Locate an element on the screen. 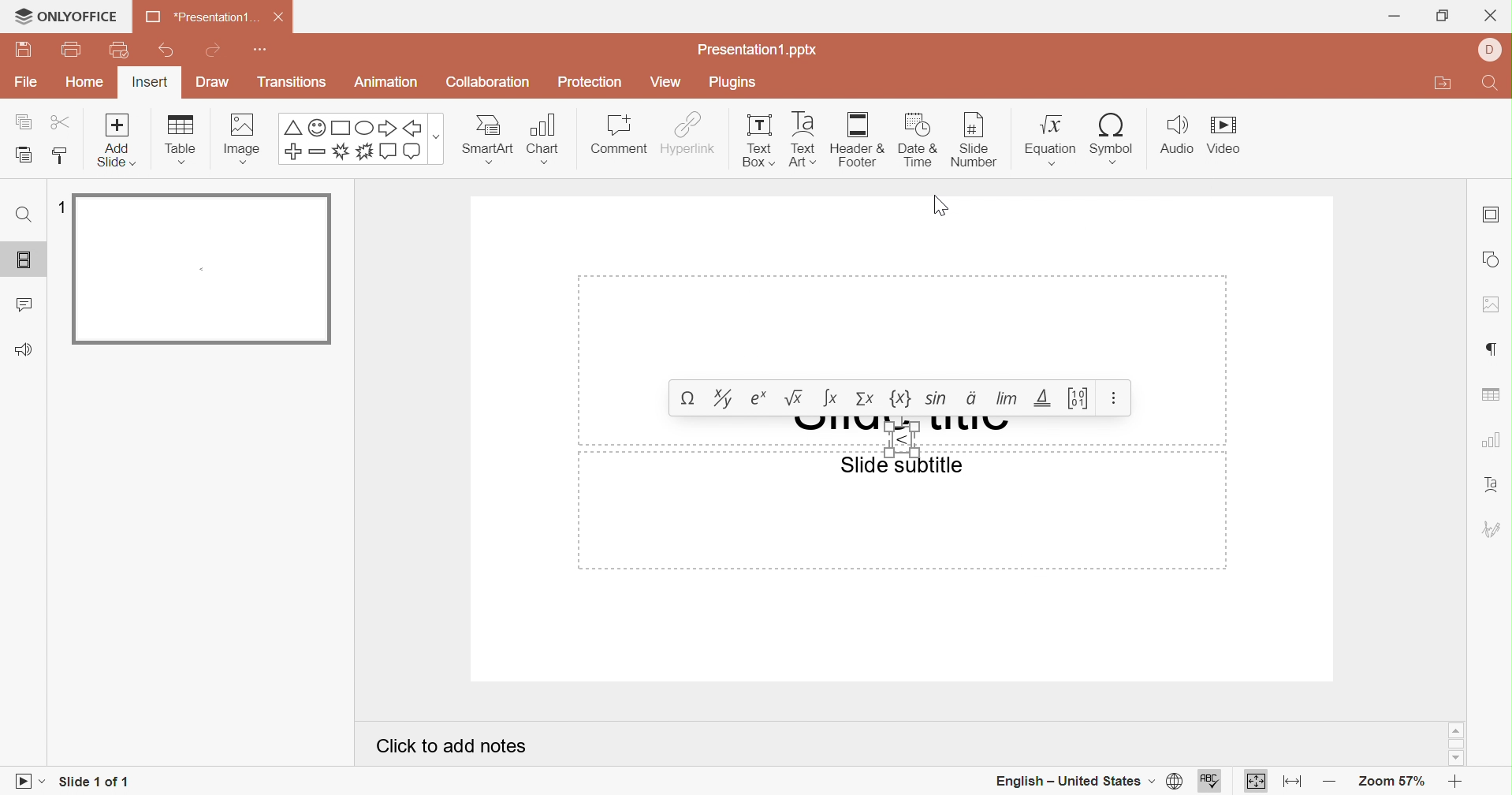 The width and height of the screenshot is (1512, 795). Slide subtitle is located at coordinates (907, 467).